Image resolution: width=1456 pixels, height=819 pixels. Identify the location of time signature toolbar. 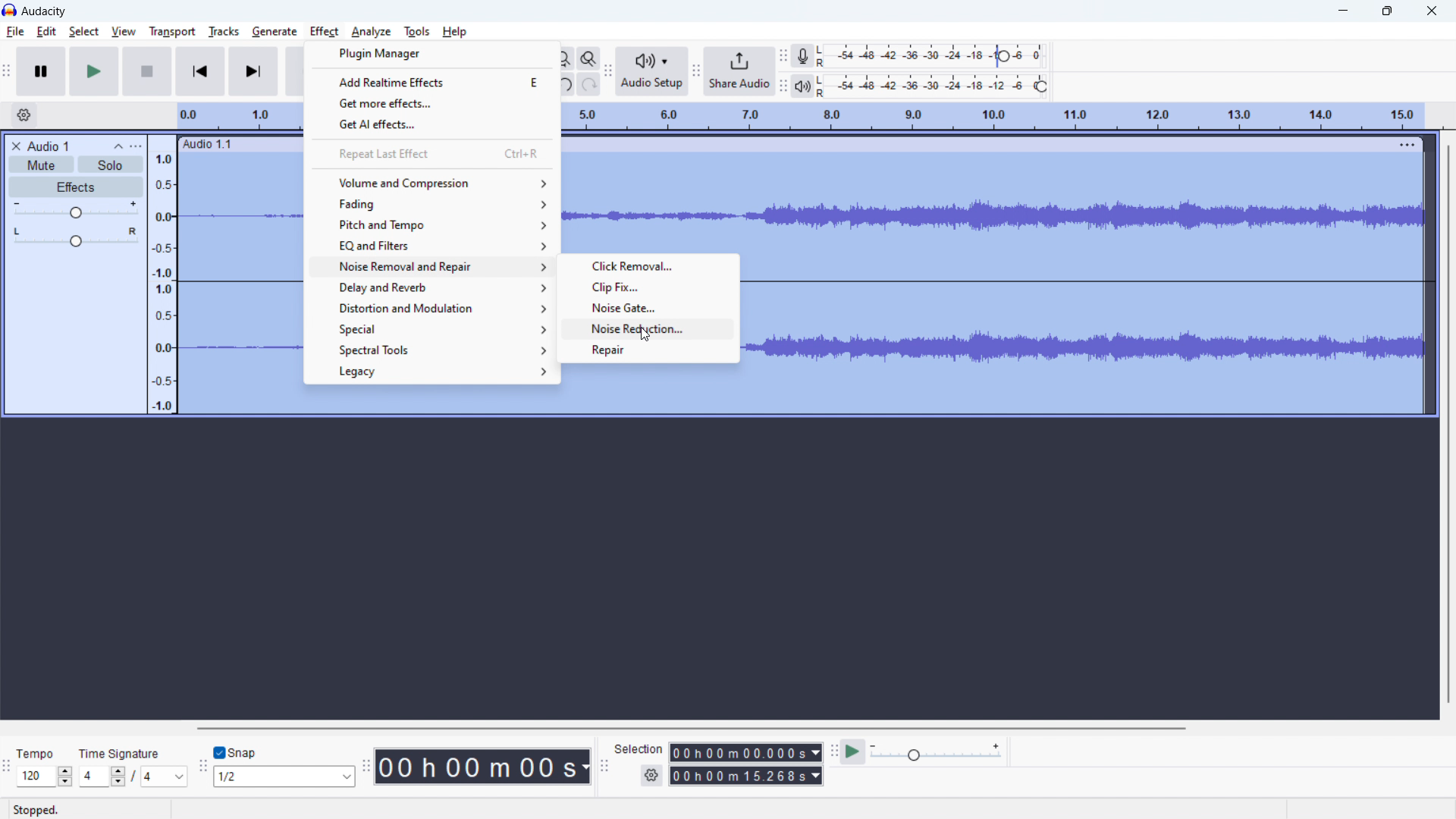
(8, 766).